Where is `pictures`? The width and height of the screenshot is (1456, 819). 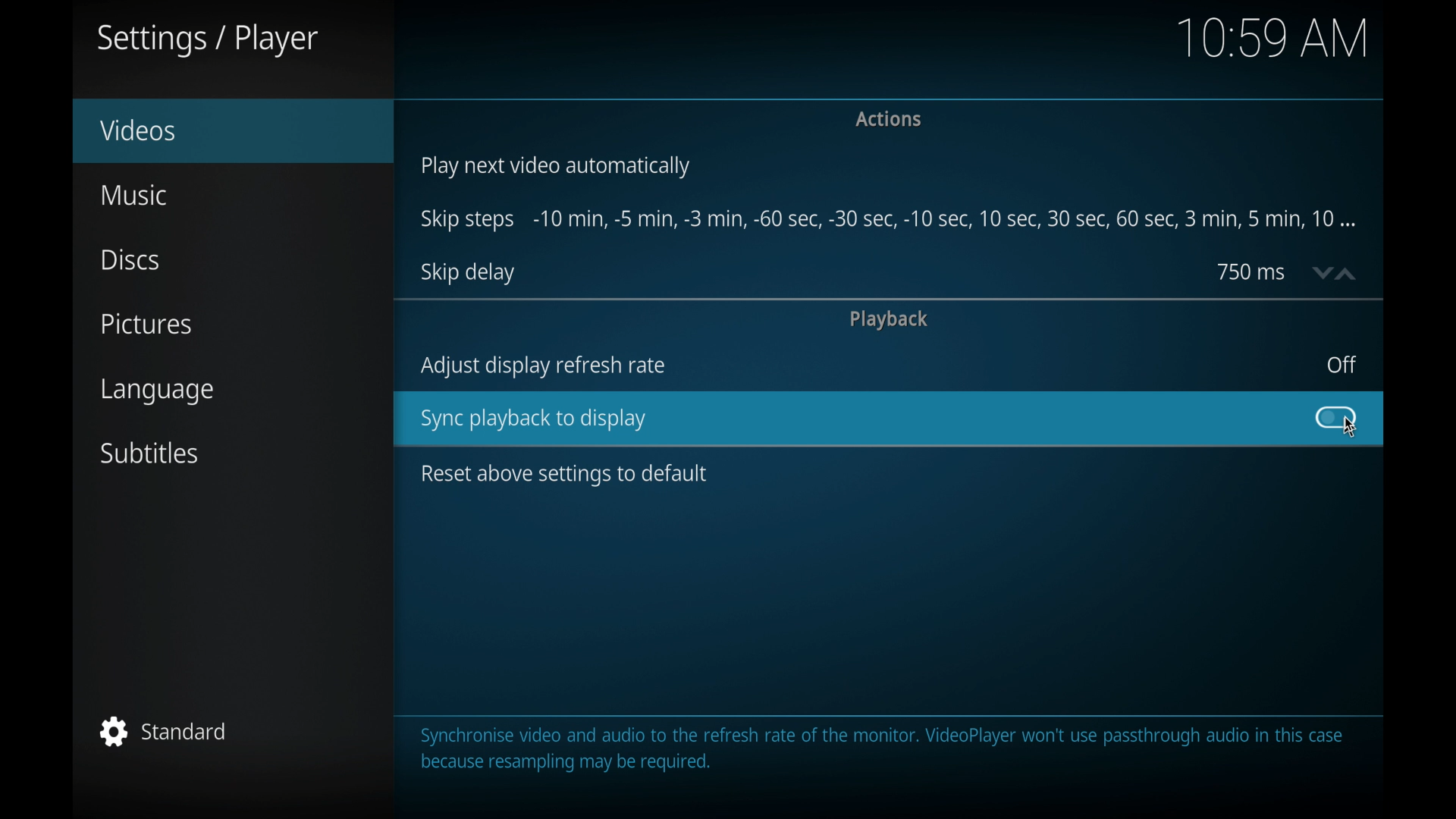
pictures is located at coordinates (146, 325).